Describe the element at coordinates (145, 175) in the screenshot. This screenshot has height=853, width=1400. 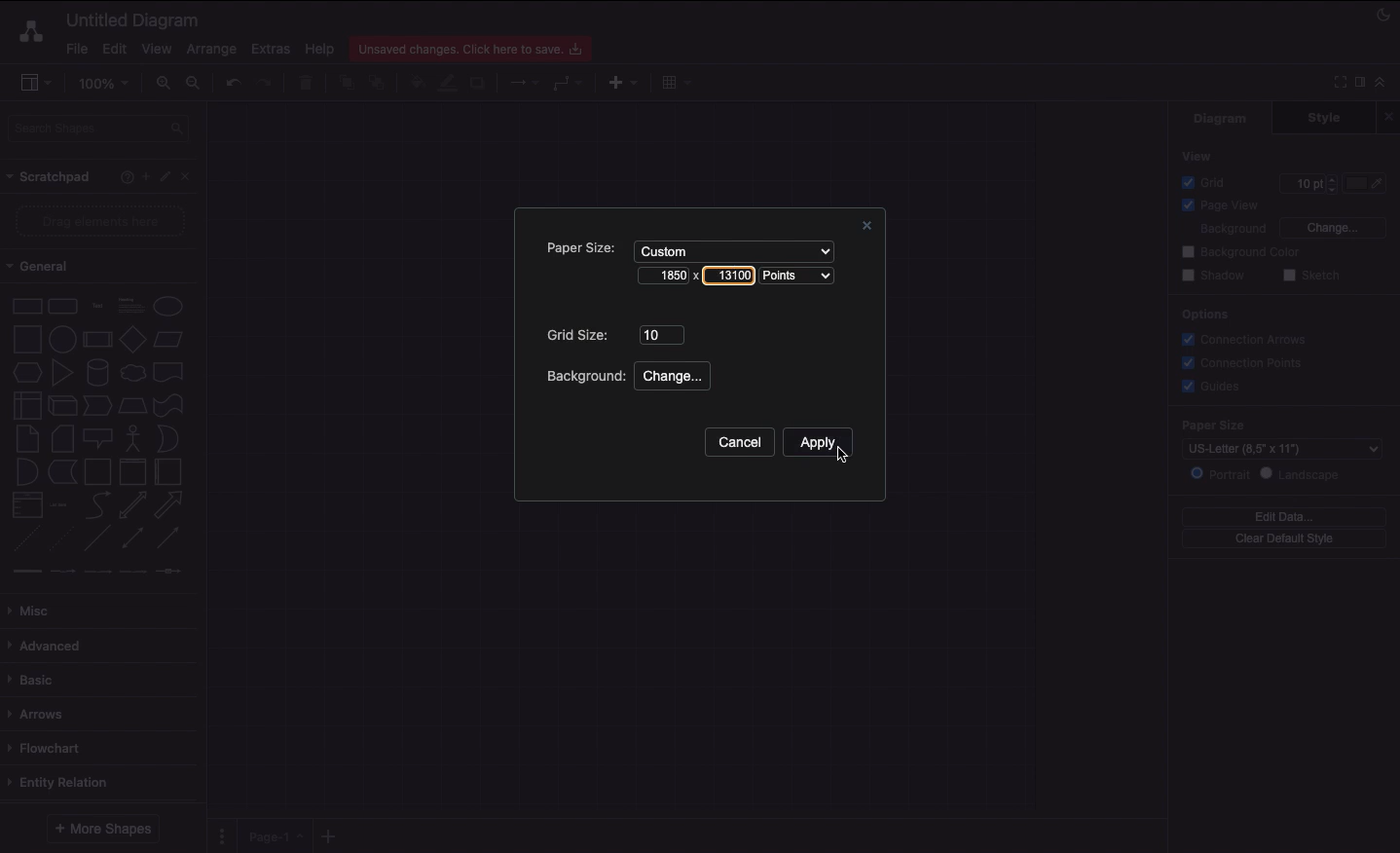
I see `Add` at that location.